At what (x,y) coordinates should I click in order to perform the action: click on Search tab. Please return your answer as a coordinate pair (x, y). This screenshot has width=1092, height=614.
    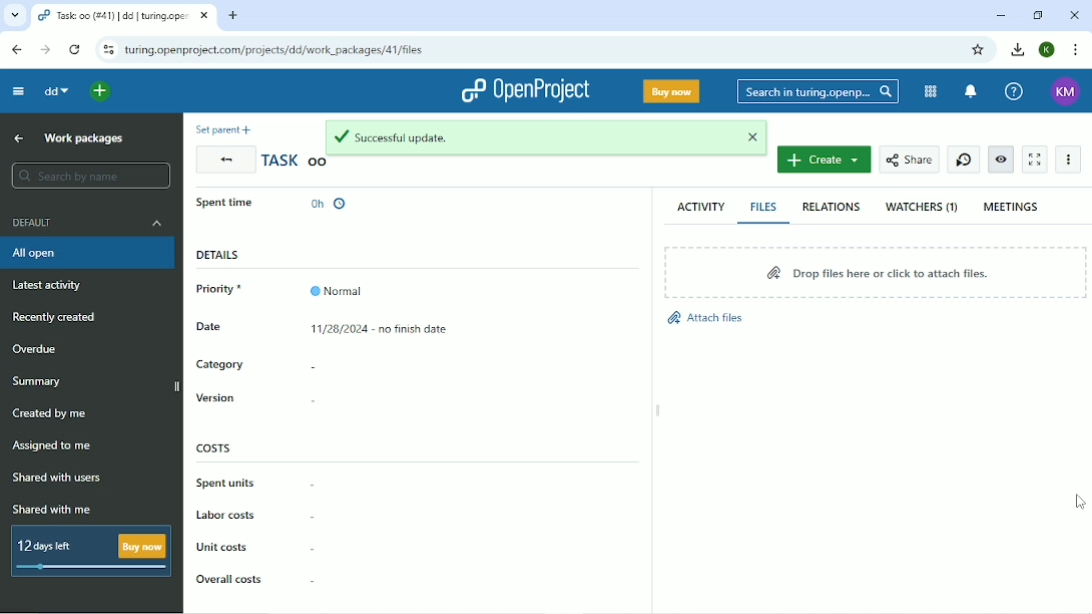
    Looking at the image, I should click on (13, 15).